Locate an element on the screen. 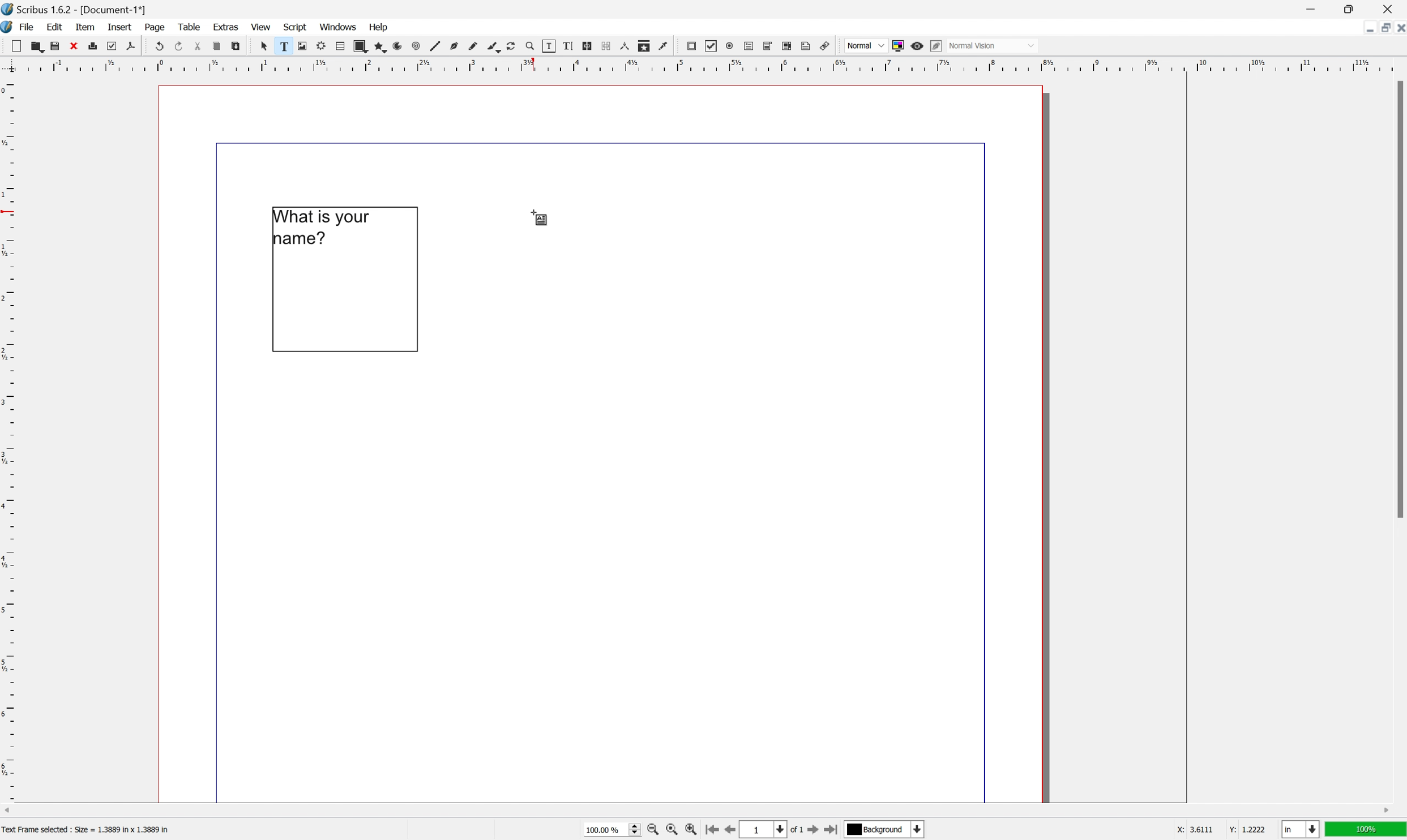  minimize is located at coordinates (1310, 8).